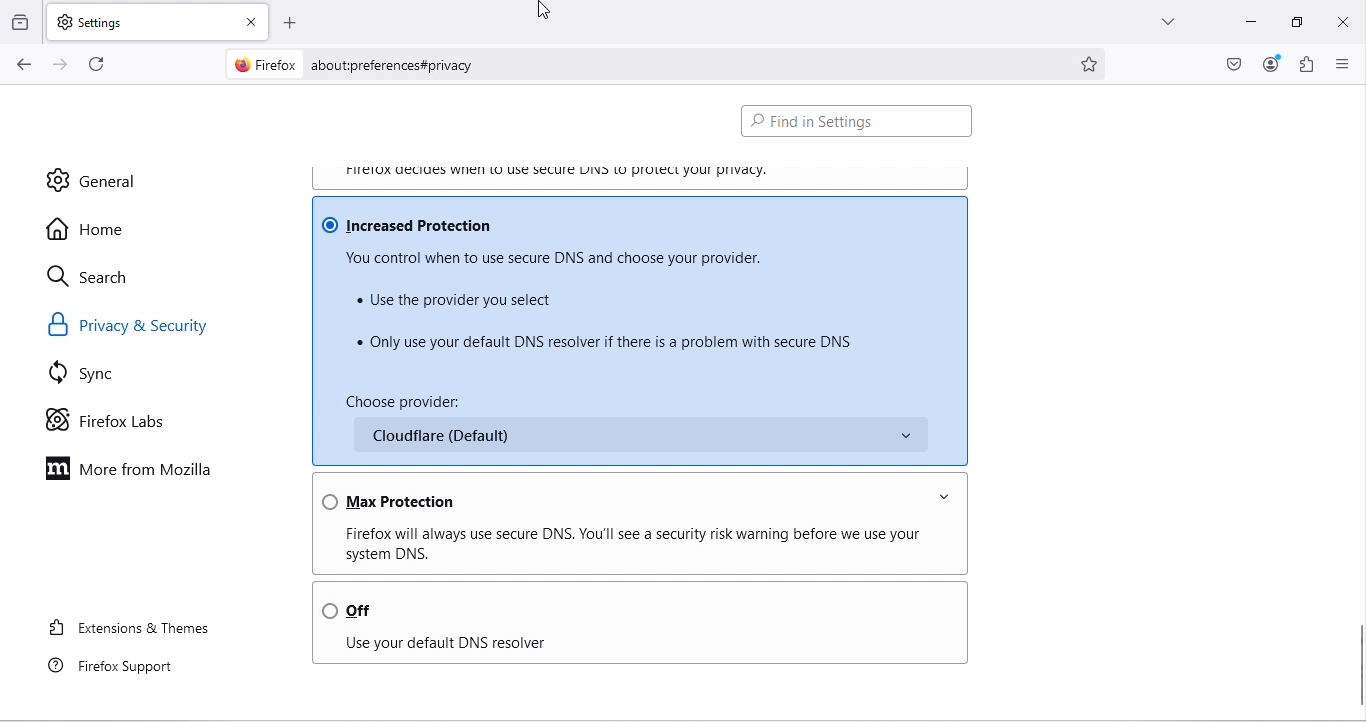  I want to click on Firefox support, so click(119, 667).